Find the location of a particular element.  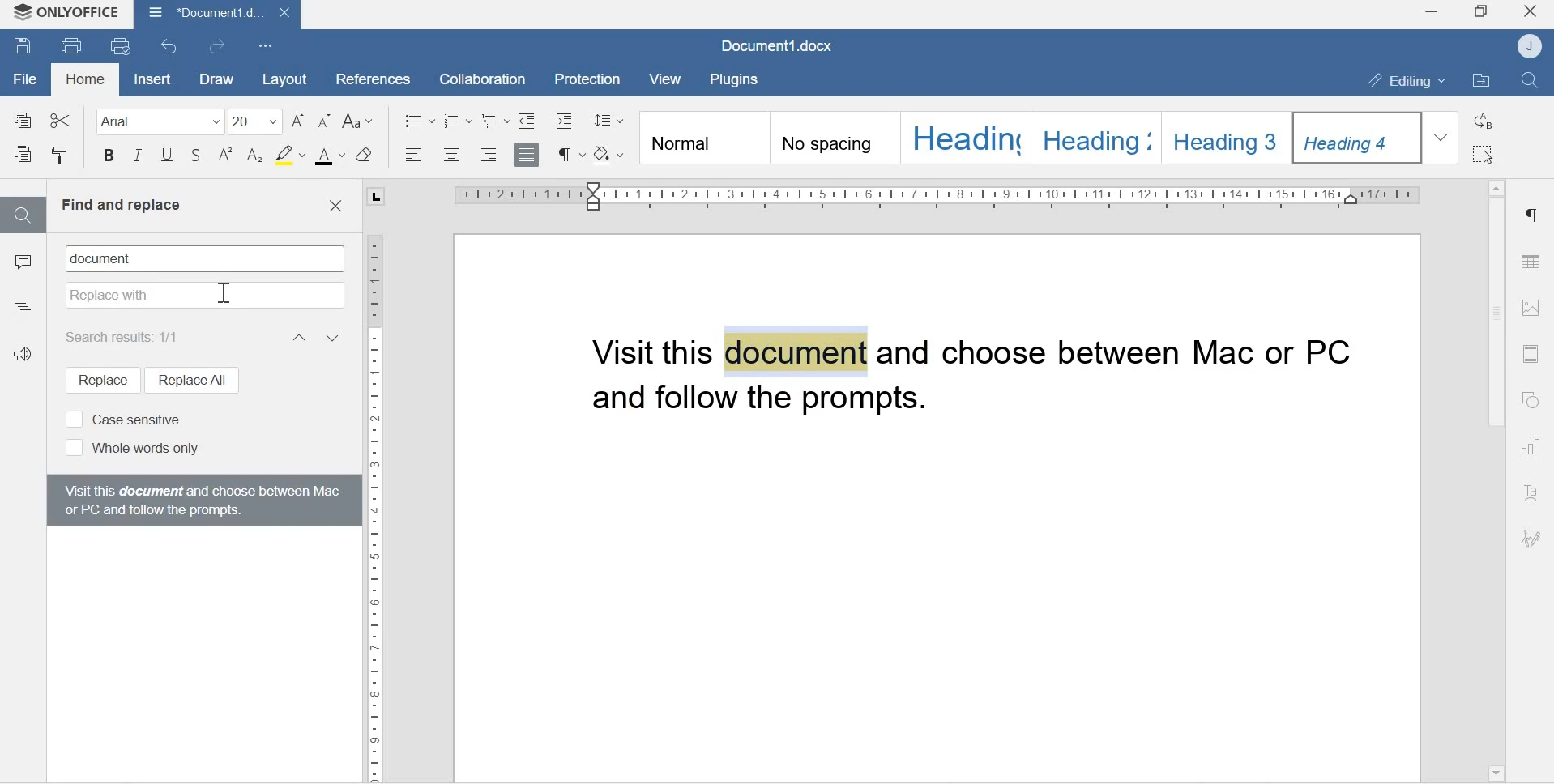

Subscript is located at coordinates (255, 156).